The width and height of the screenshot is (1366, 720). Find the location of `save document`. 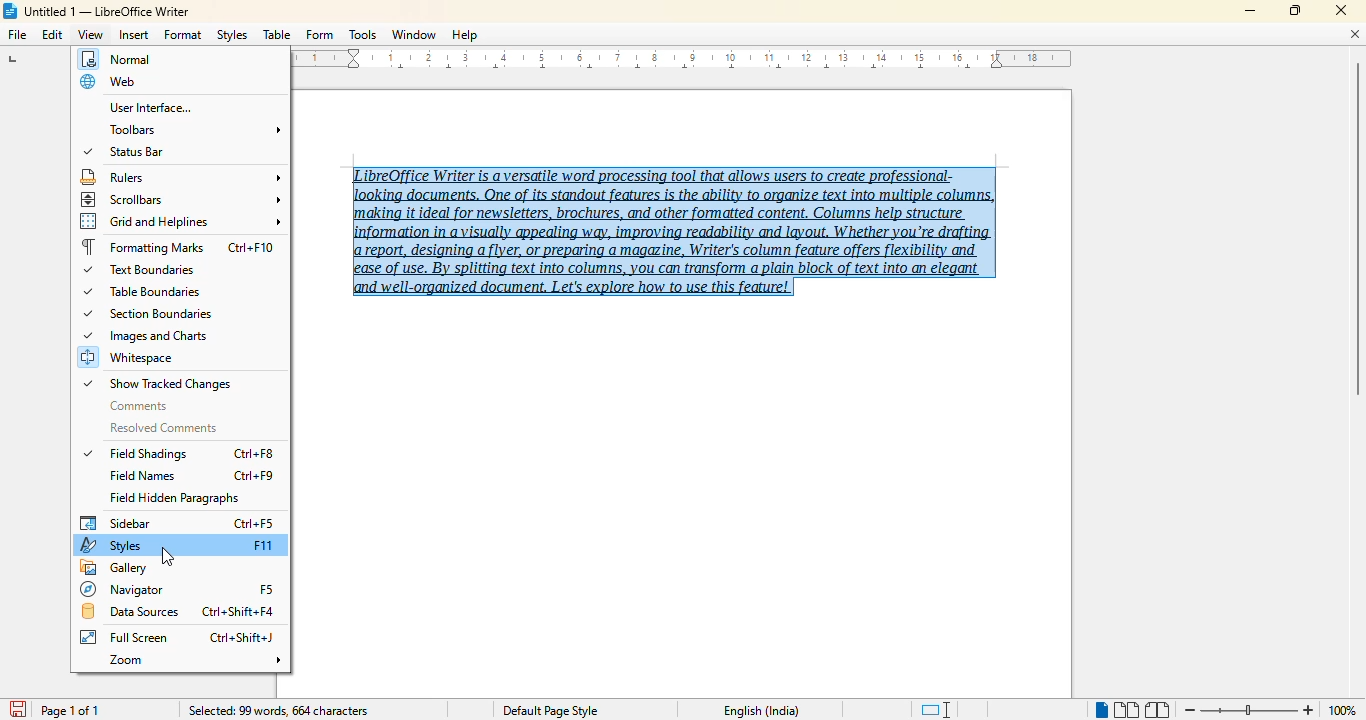

save document is located at coordinates (19, 708).